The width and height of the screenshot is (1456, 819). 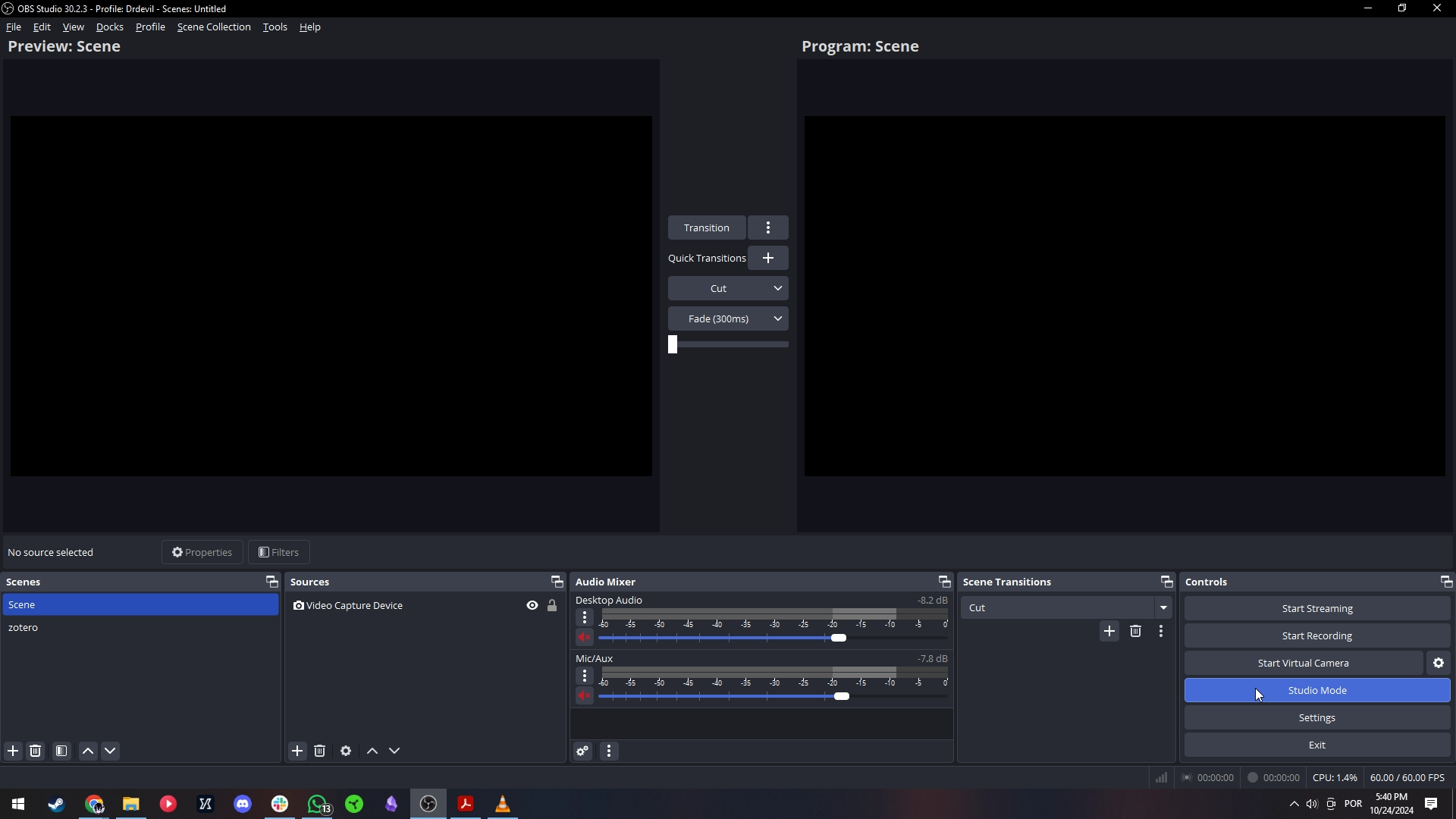 What do you see at coordinates (531, 605) in the screenshot?
I see `Source 1 visibility` at bounding box center [531, 605].